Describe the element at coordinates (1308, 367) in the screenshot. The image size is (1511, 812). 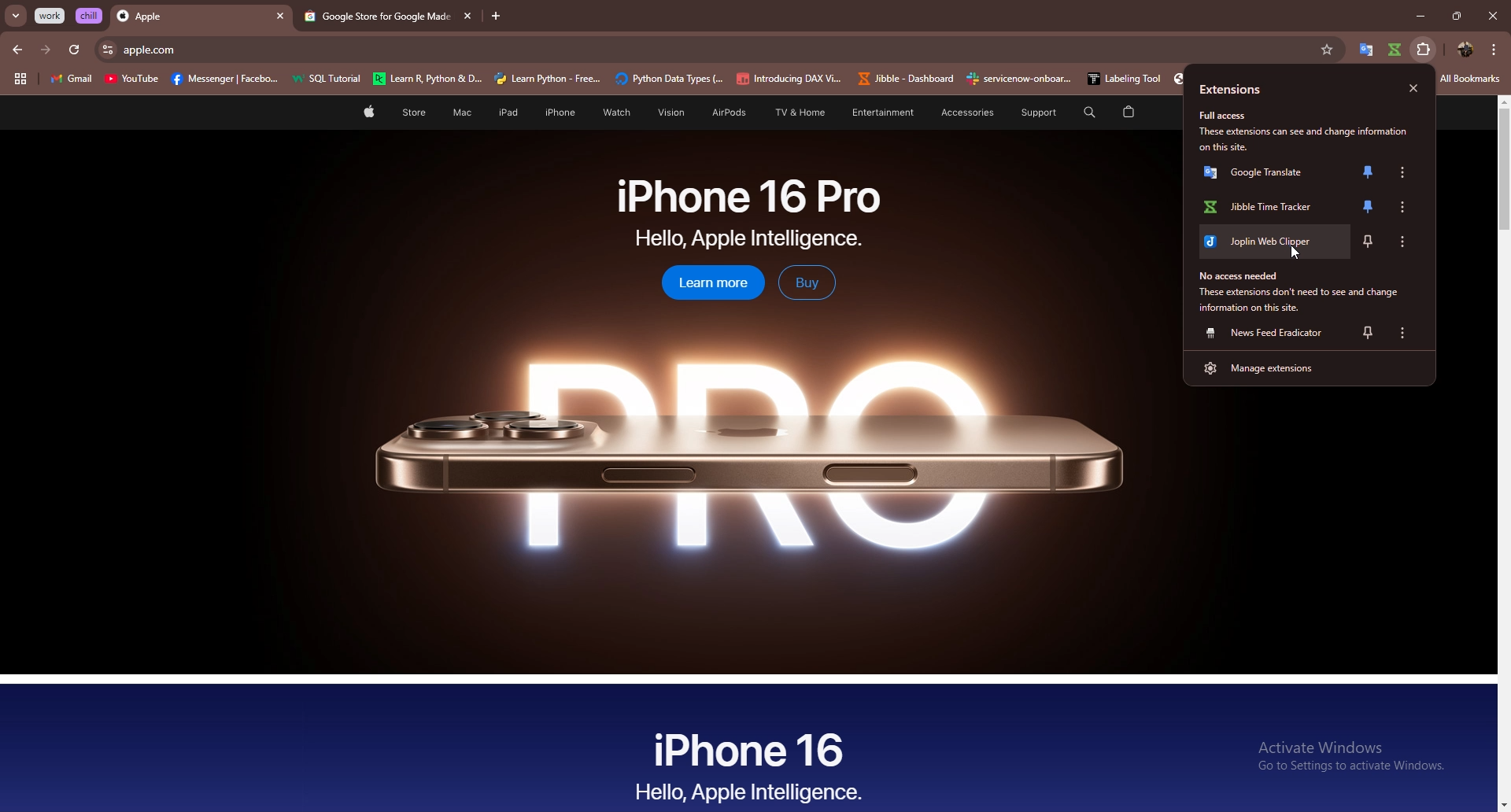
I see `manage extensions` at that location.